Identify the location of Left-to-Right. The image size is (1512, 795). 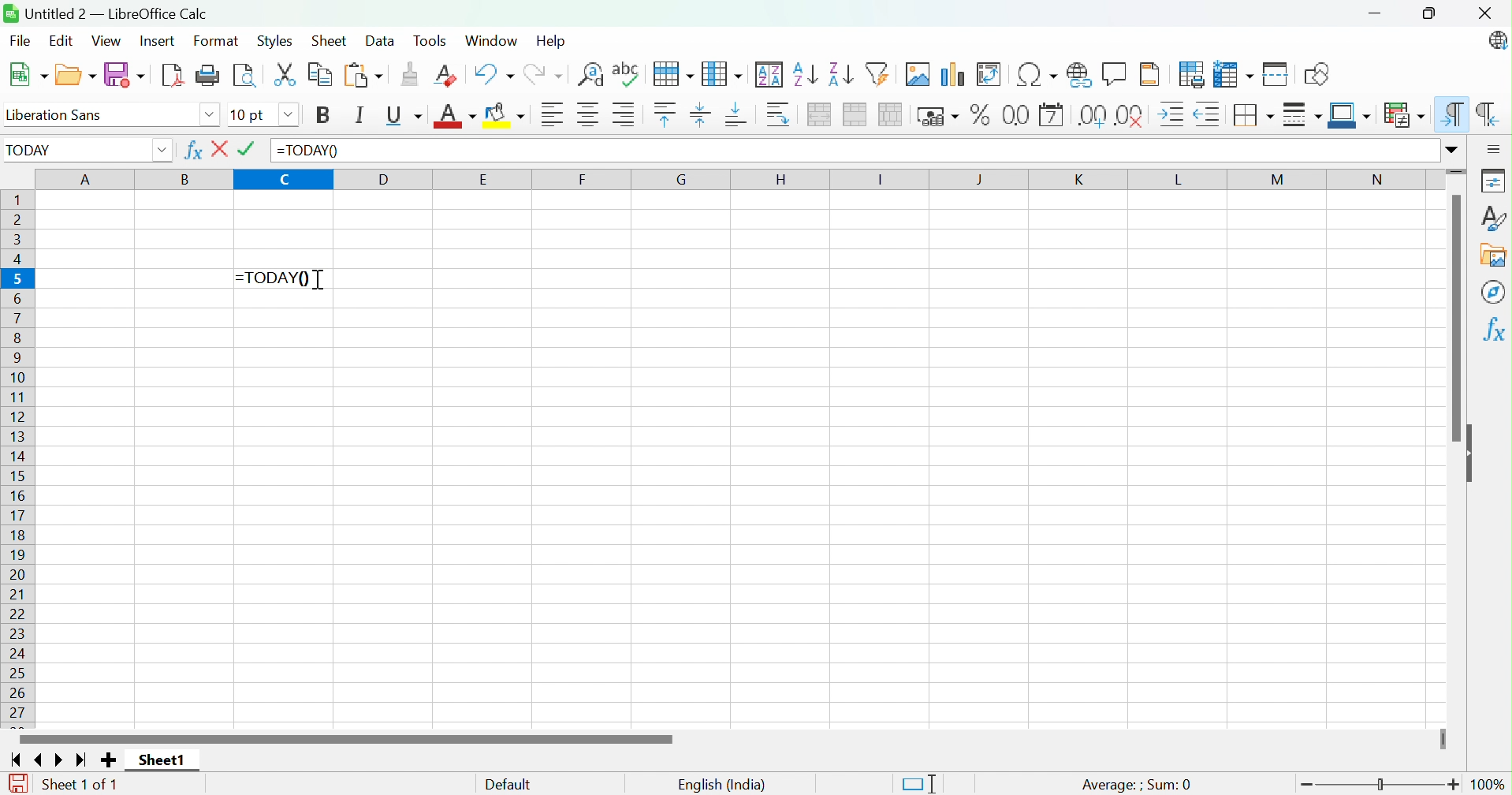
(1453, 115).